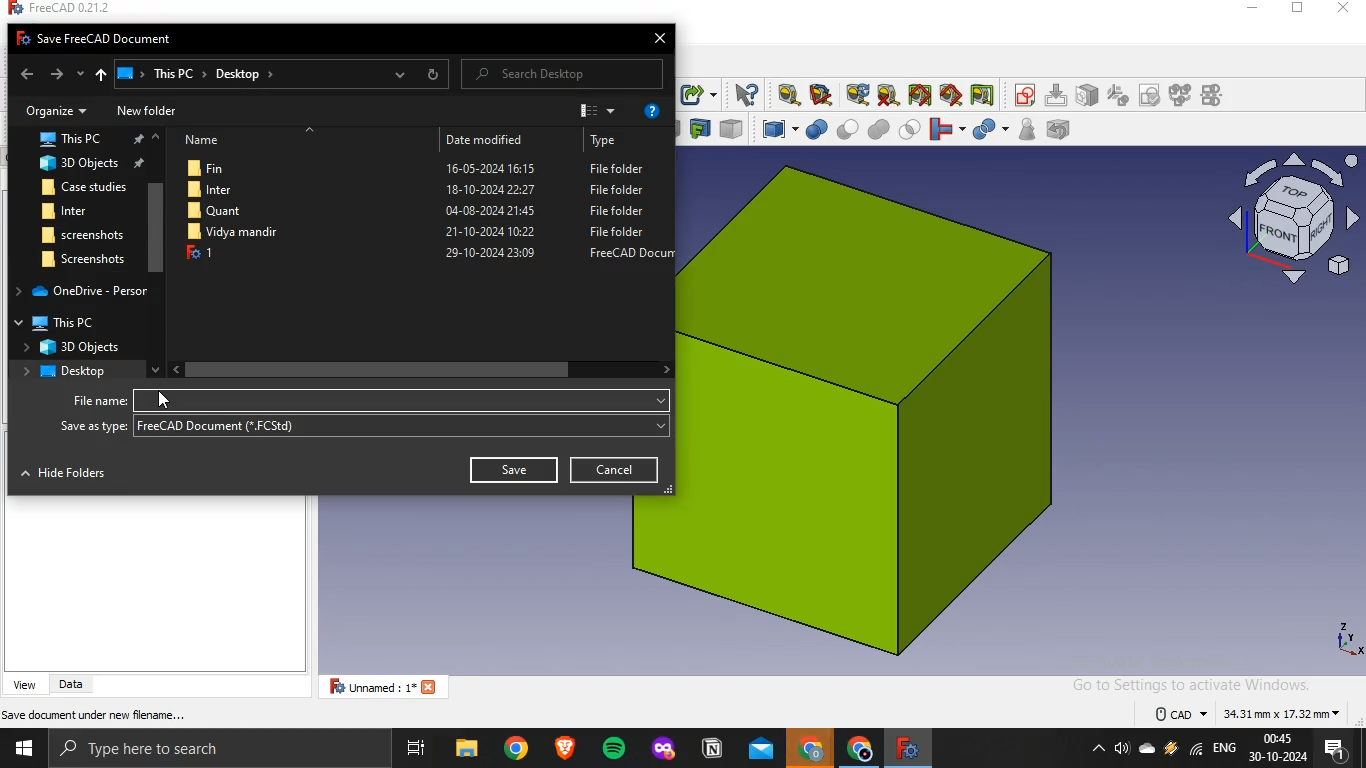 This screenshot has width=1366, height=768. What do you see at coordinates (1293, 219) in the screenshot?
I see `axis icon` at bounding box center [1293, 219].